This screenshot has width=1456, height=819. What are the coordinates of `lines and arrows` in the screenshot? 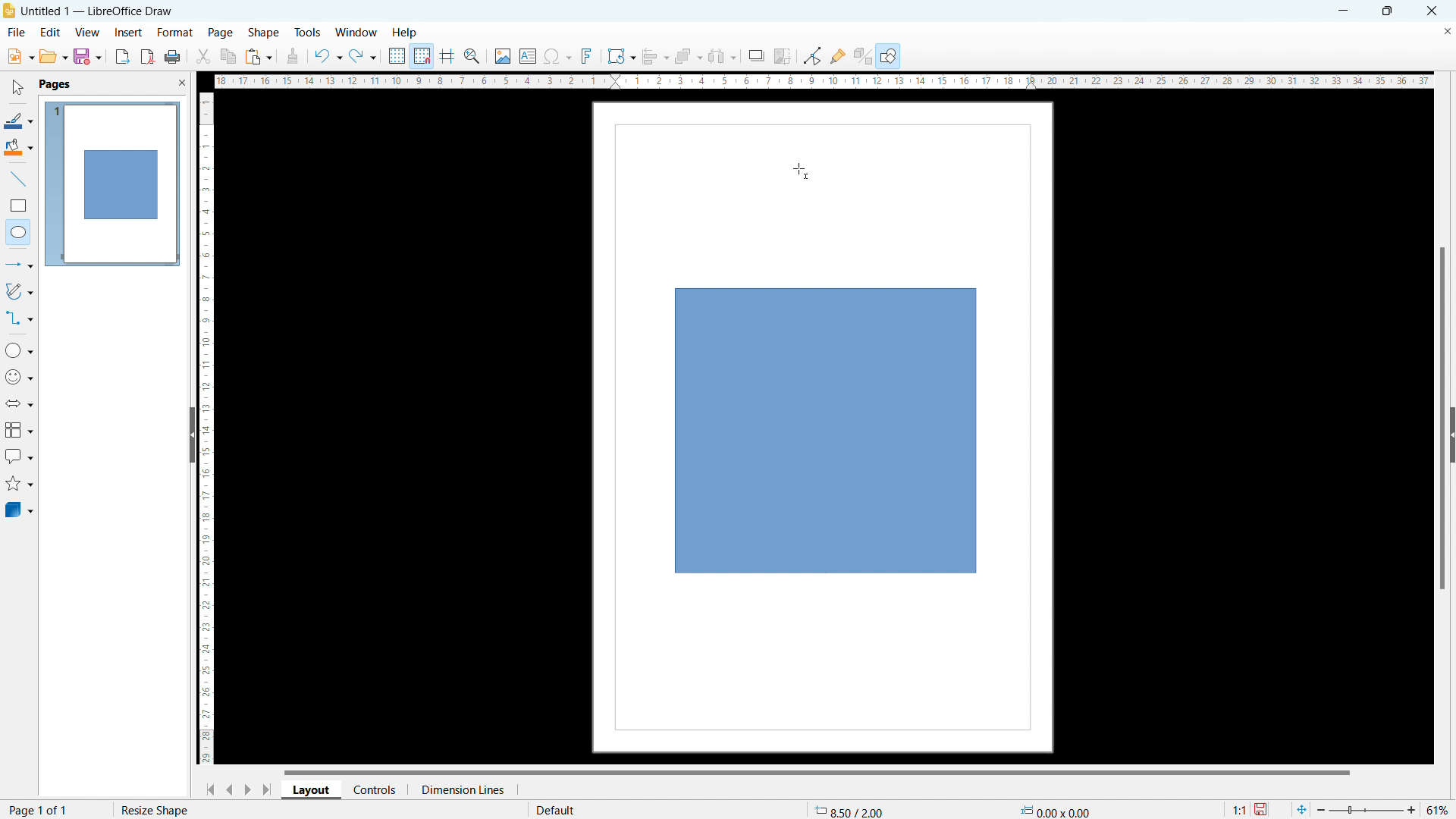 It's located at (20, 266).